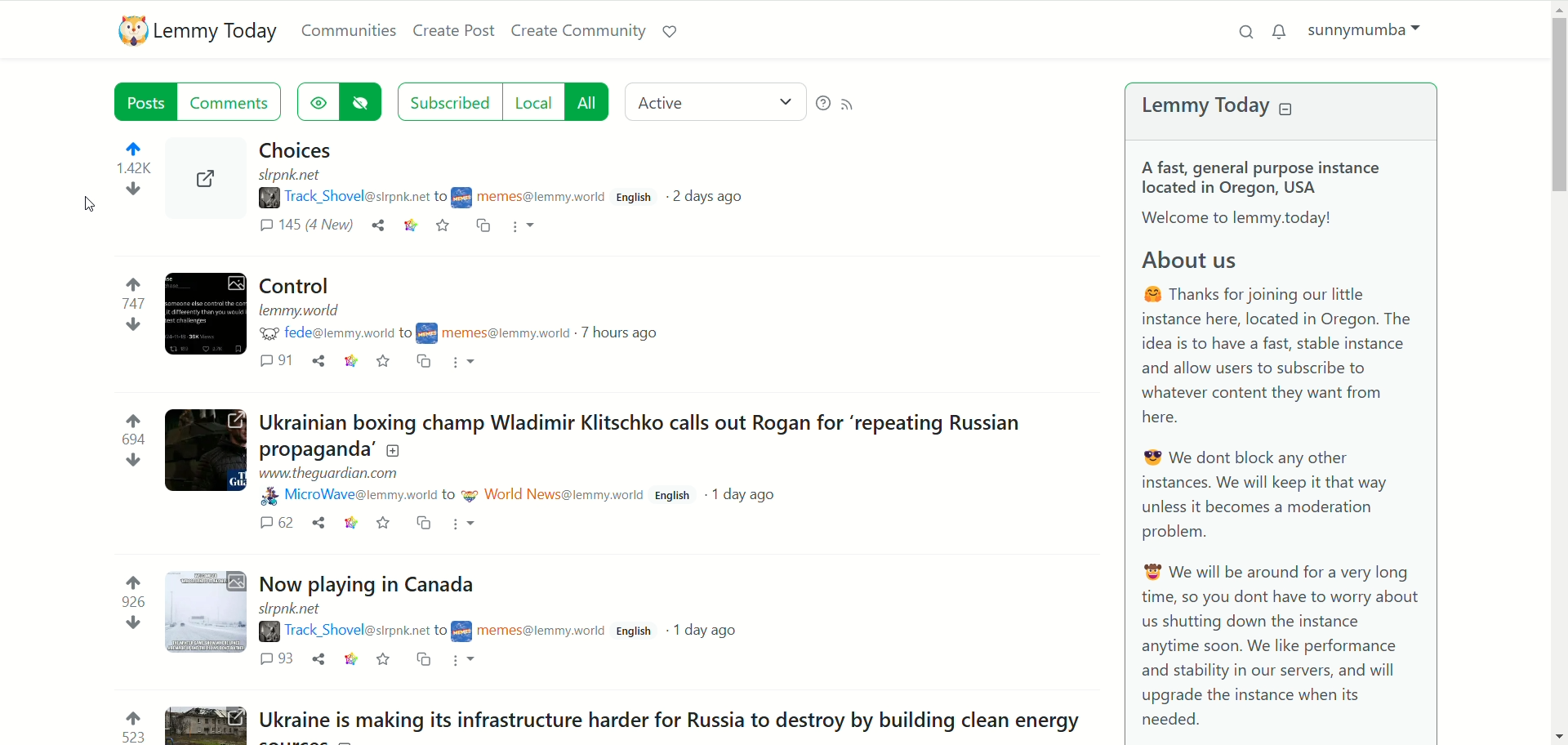  What do you see at coordinates (210, 725) in the screenshot?
I see `Thumbnail` at bounding box center [210, 725].